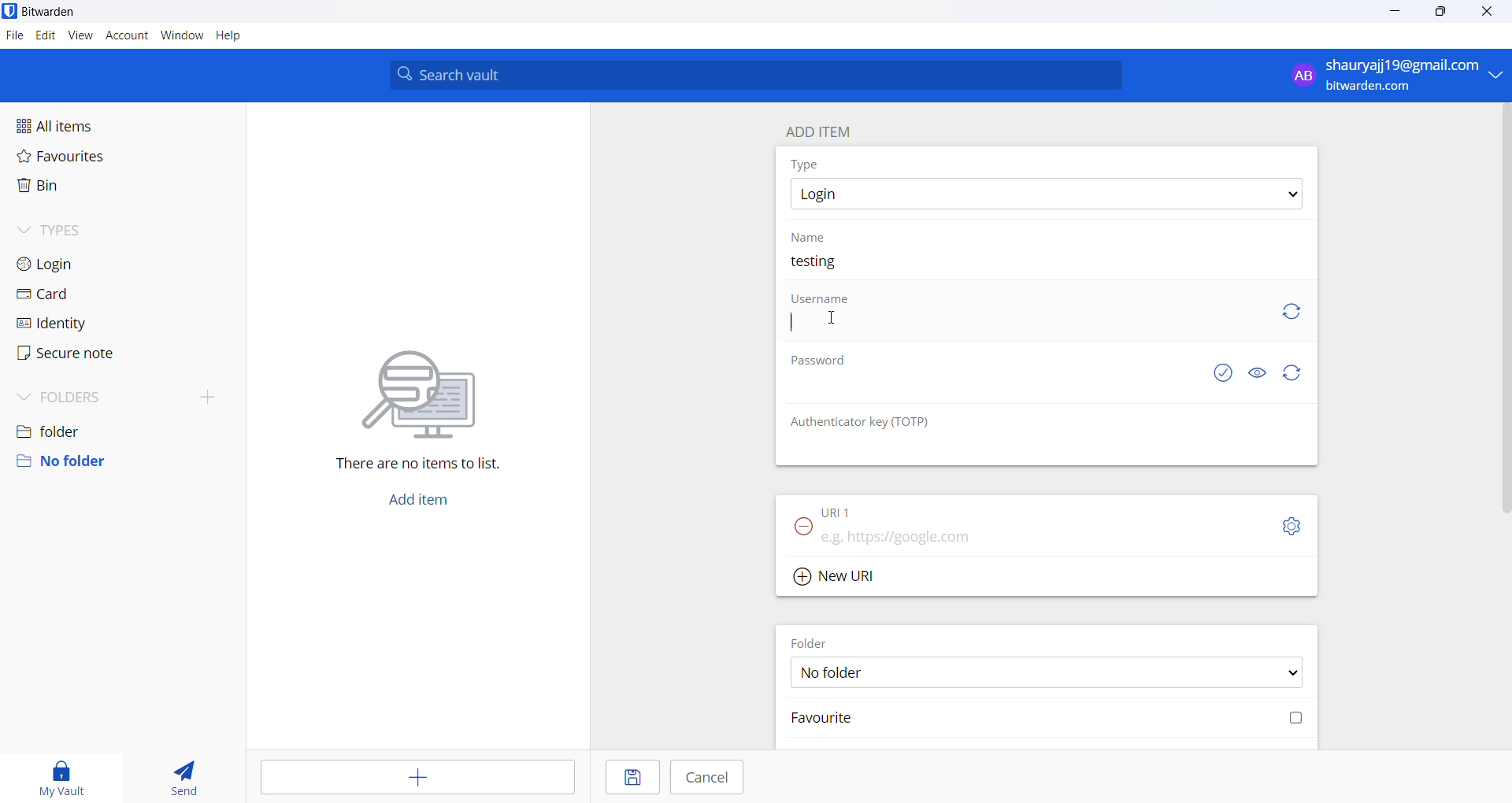 This screenshot has width=1512, height=803. Describe the element at coordinates (1443, 13) in the screenshot. I see `maximize` at that location.